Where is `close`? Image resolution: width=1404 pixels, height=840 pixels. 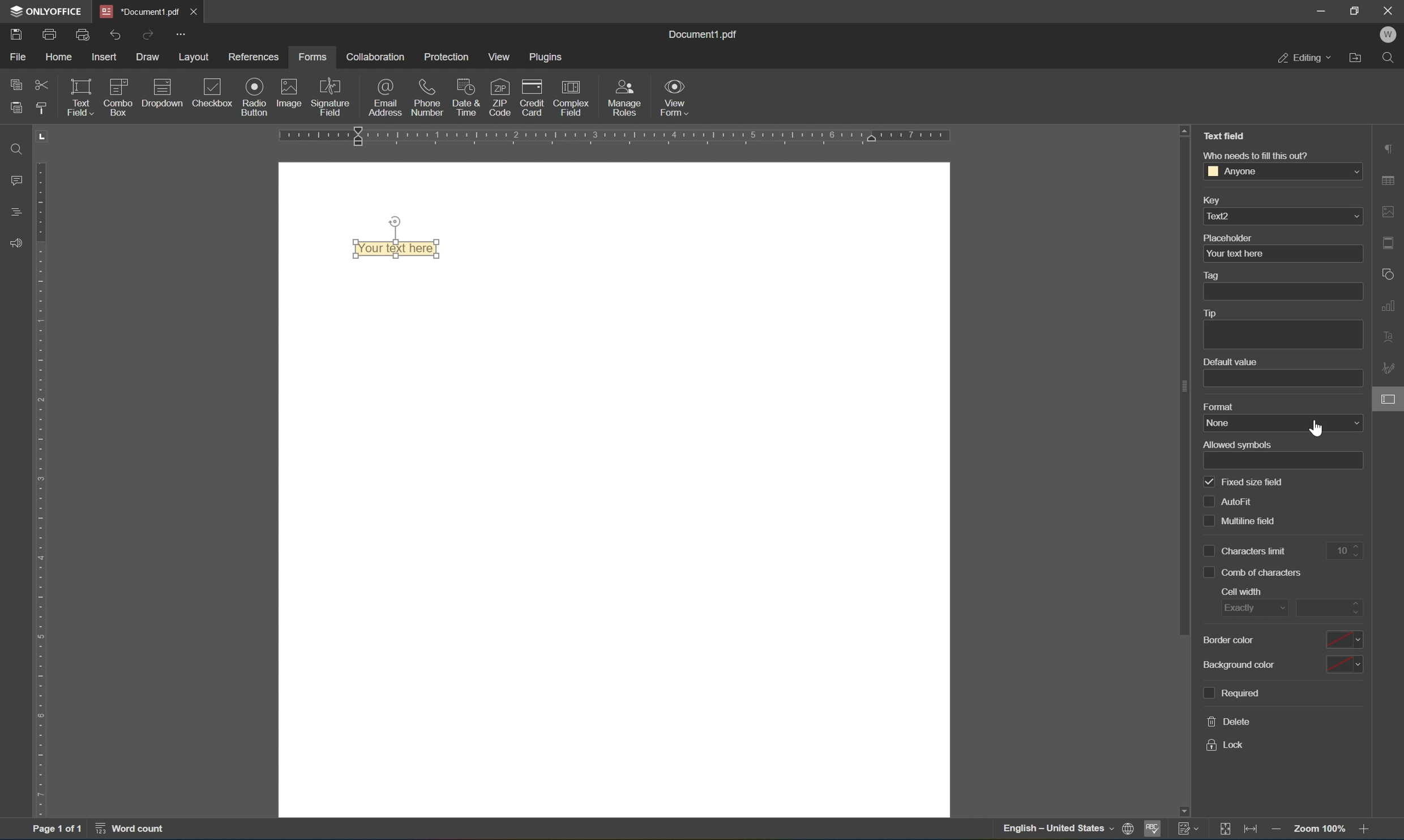 close is located at coordinates (1391, 9).